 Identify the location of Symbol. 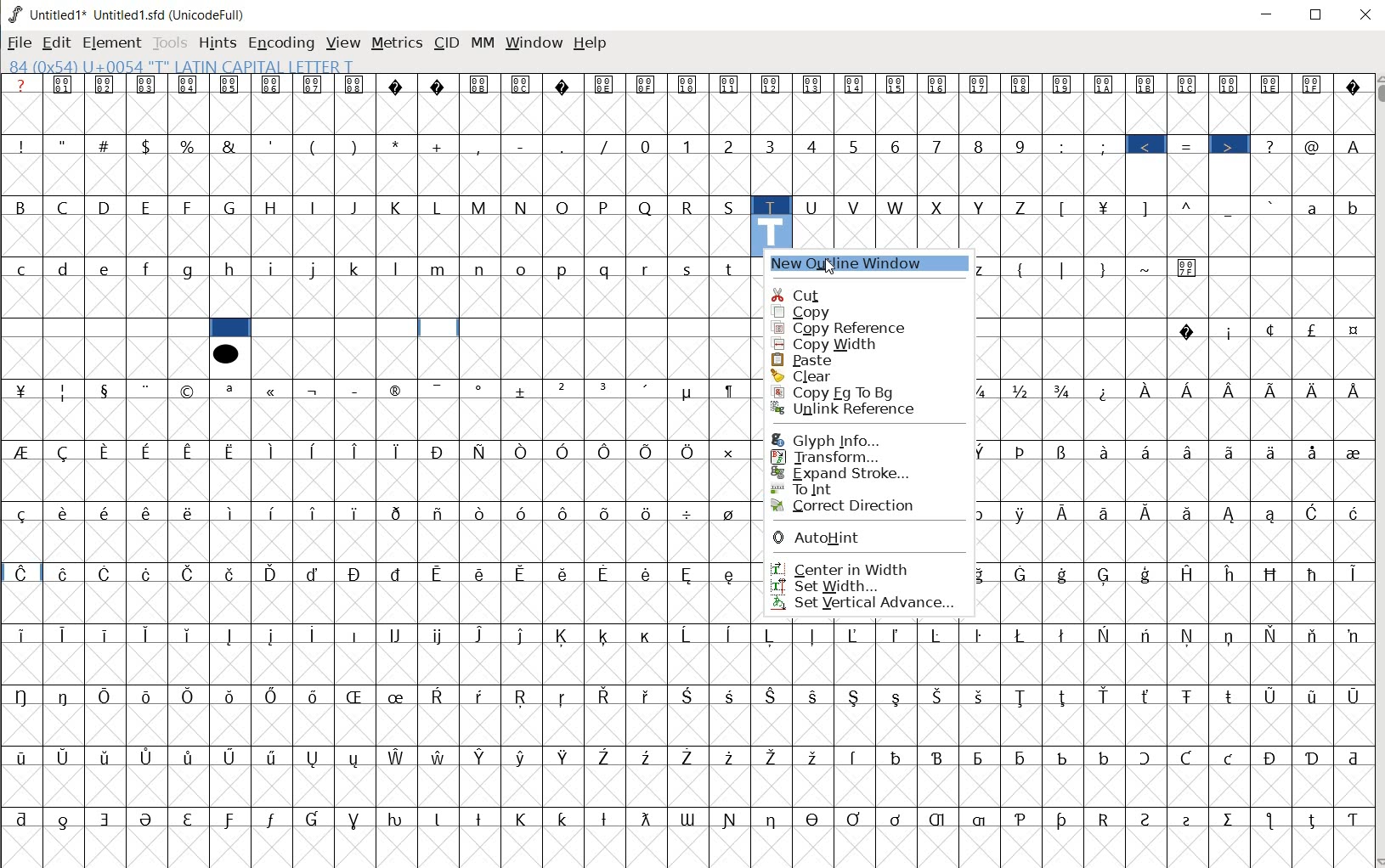
(1230, 331).